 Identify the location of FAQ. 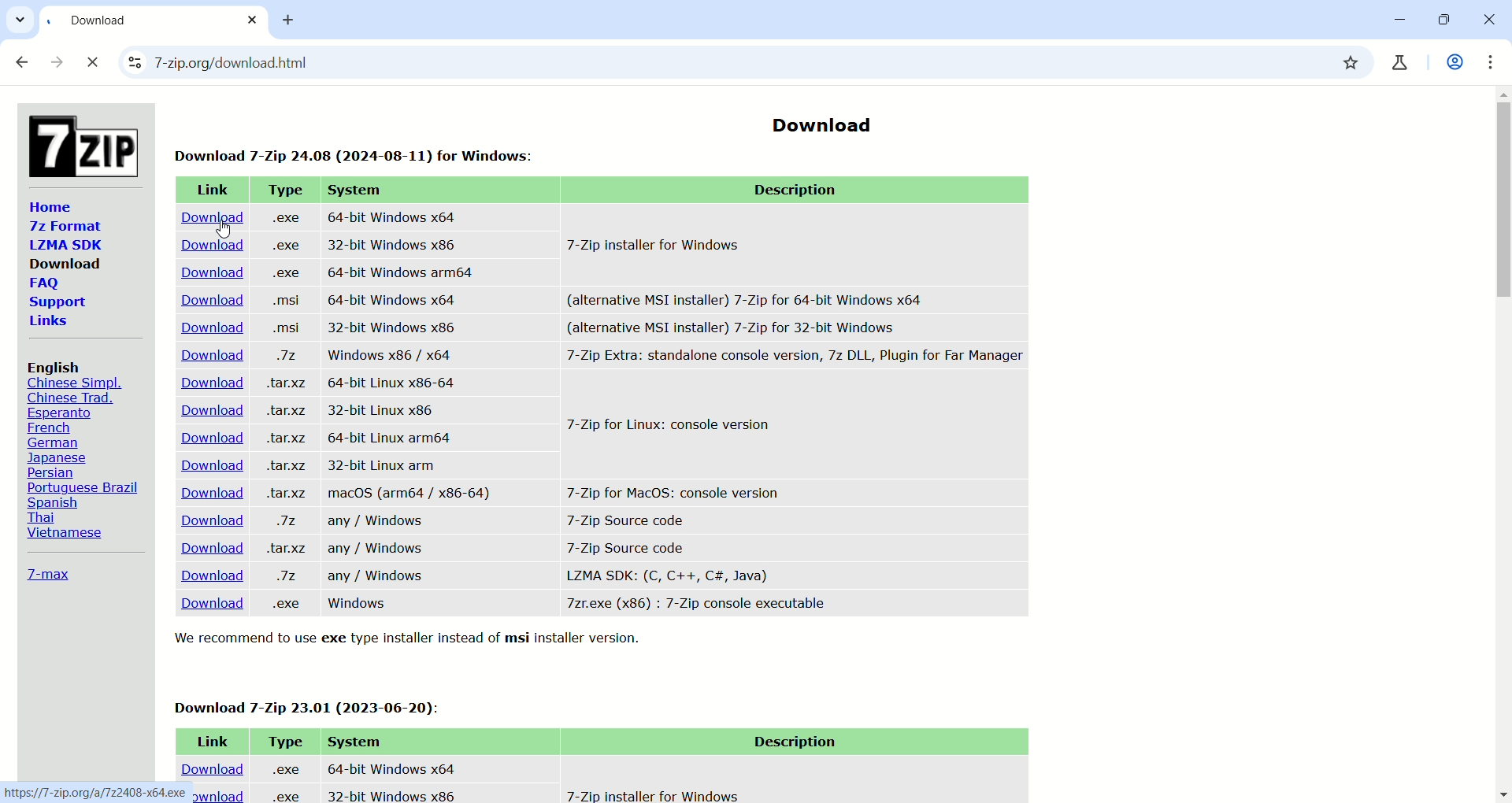
(43, 284).